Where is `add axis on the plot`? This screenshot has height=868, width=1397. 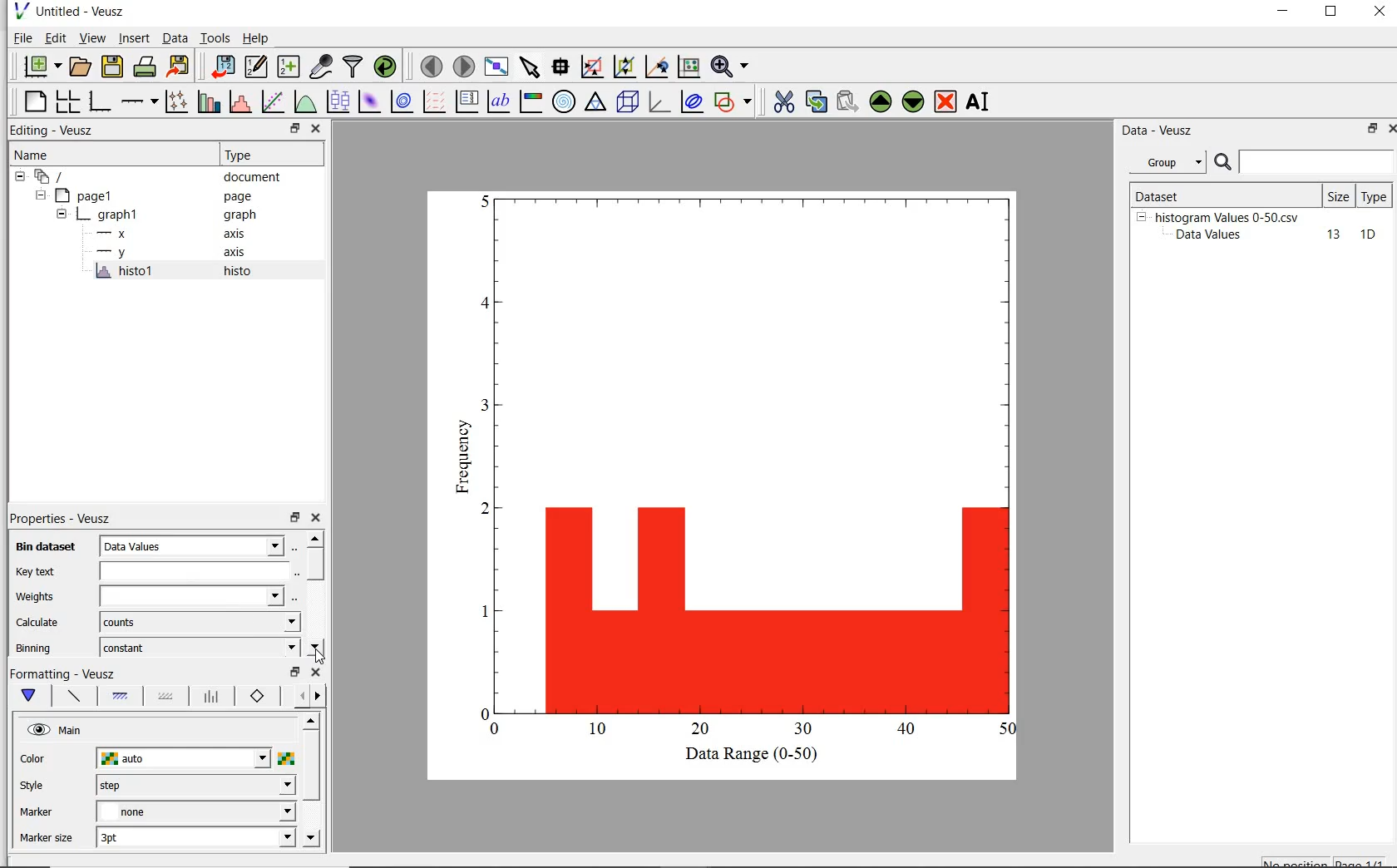
add axis on the plot is located at coordinates (139, 100).